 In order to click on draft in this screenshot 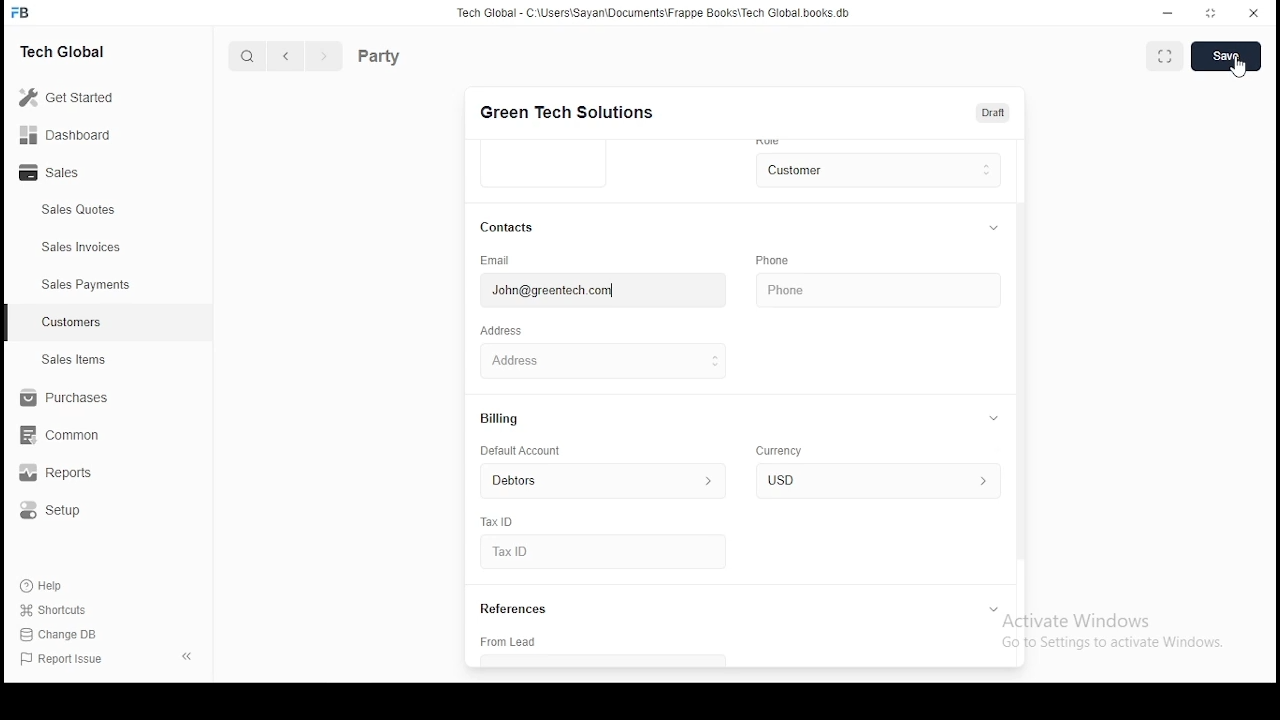, I will do `click(994, 113)`.